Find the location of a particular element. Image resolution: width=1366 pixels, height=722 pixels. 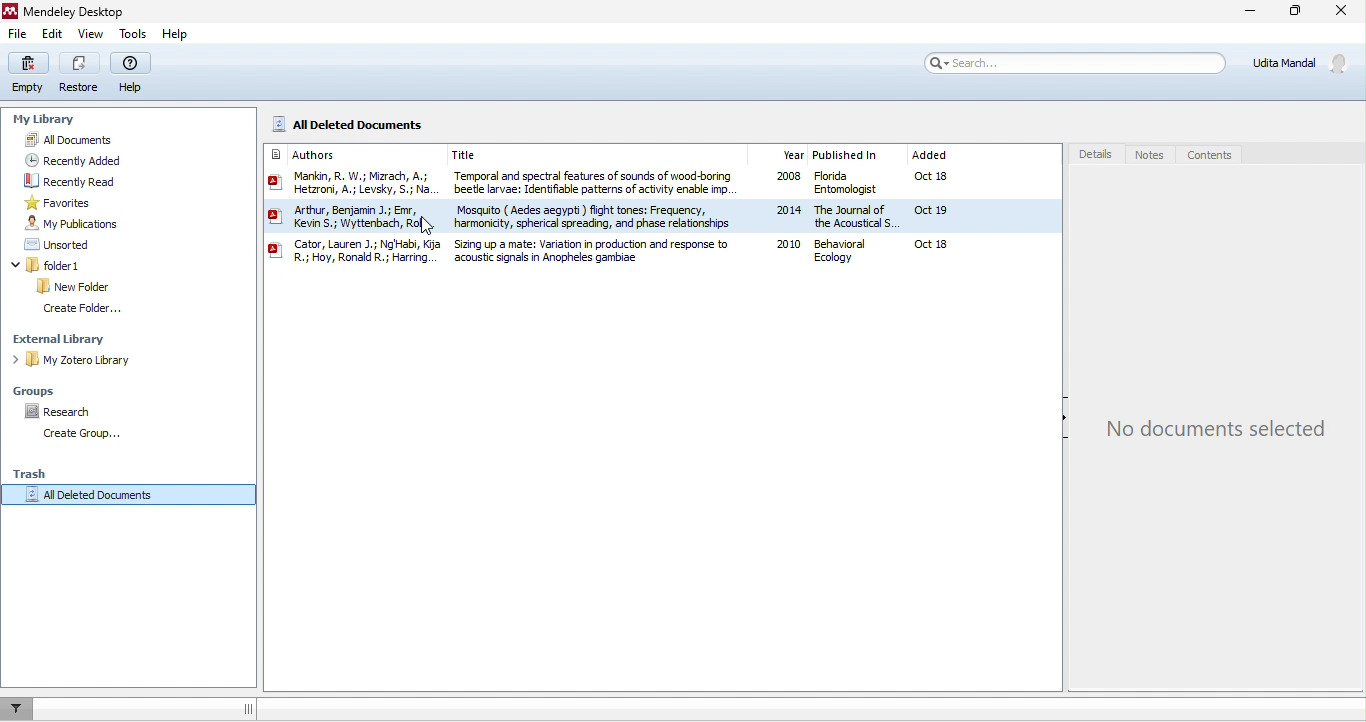

published in is located at coordinates (847, 153).